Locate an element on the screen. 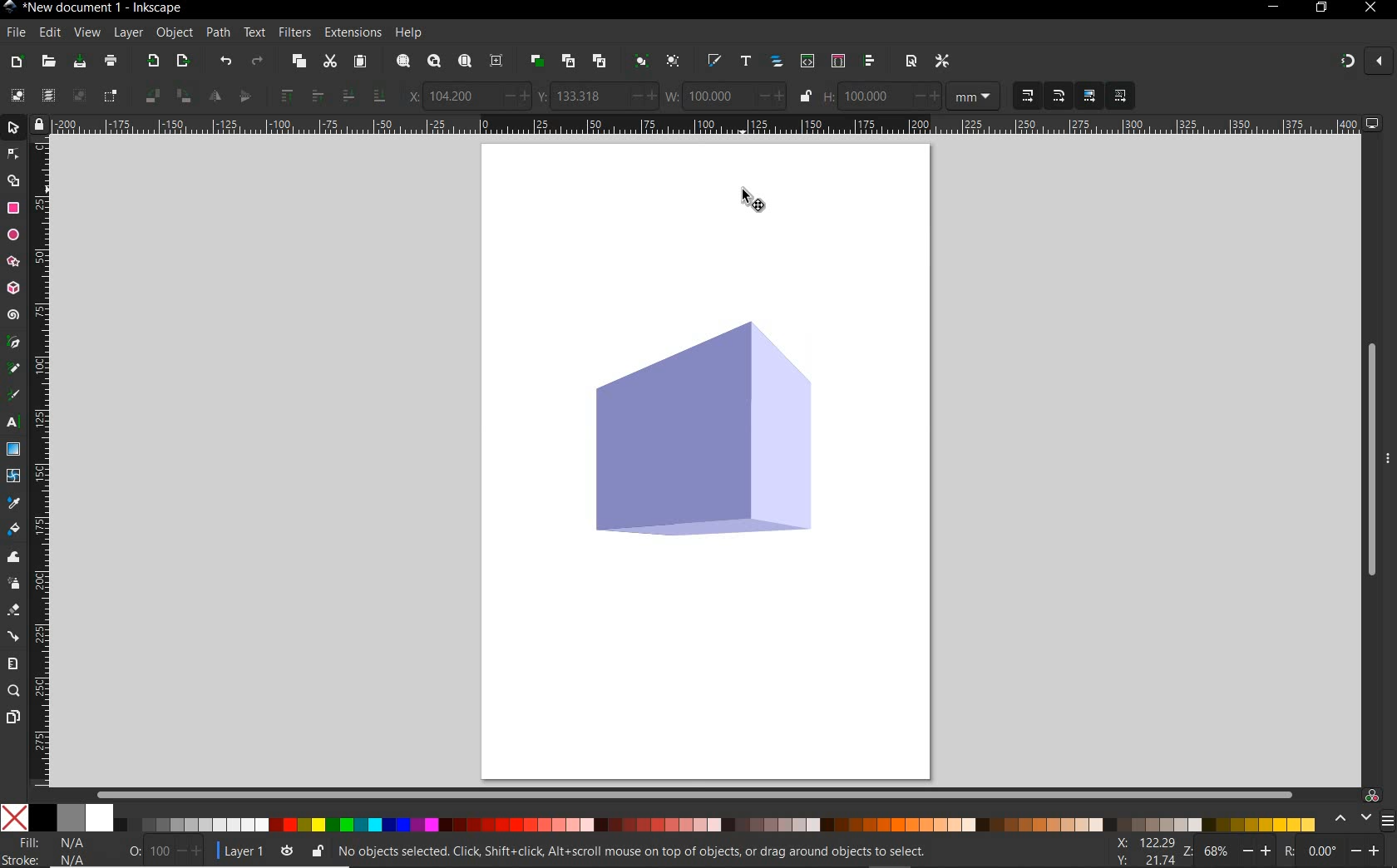 The width and height of the screenshot is (1397, 868). object rotate is located at coordinates (182, 96).